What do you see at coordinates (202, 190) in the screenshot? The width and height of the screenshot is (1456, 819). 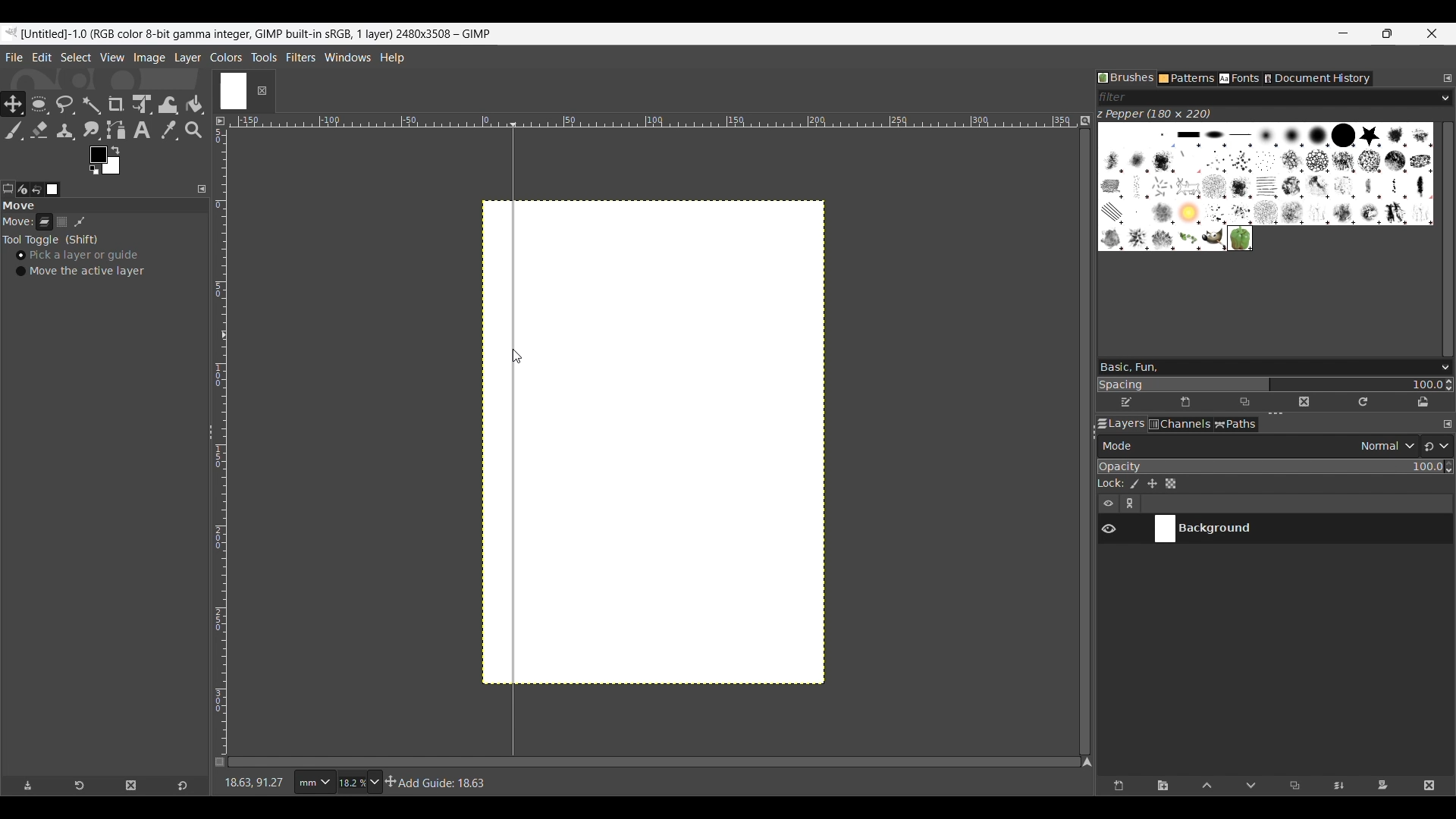 I see `Configure this tab` at bounding box center [202, 190].